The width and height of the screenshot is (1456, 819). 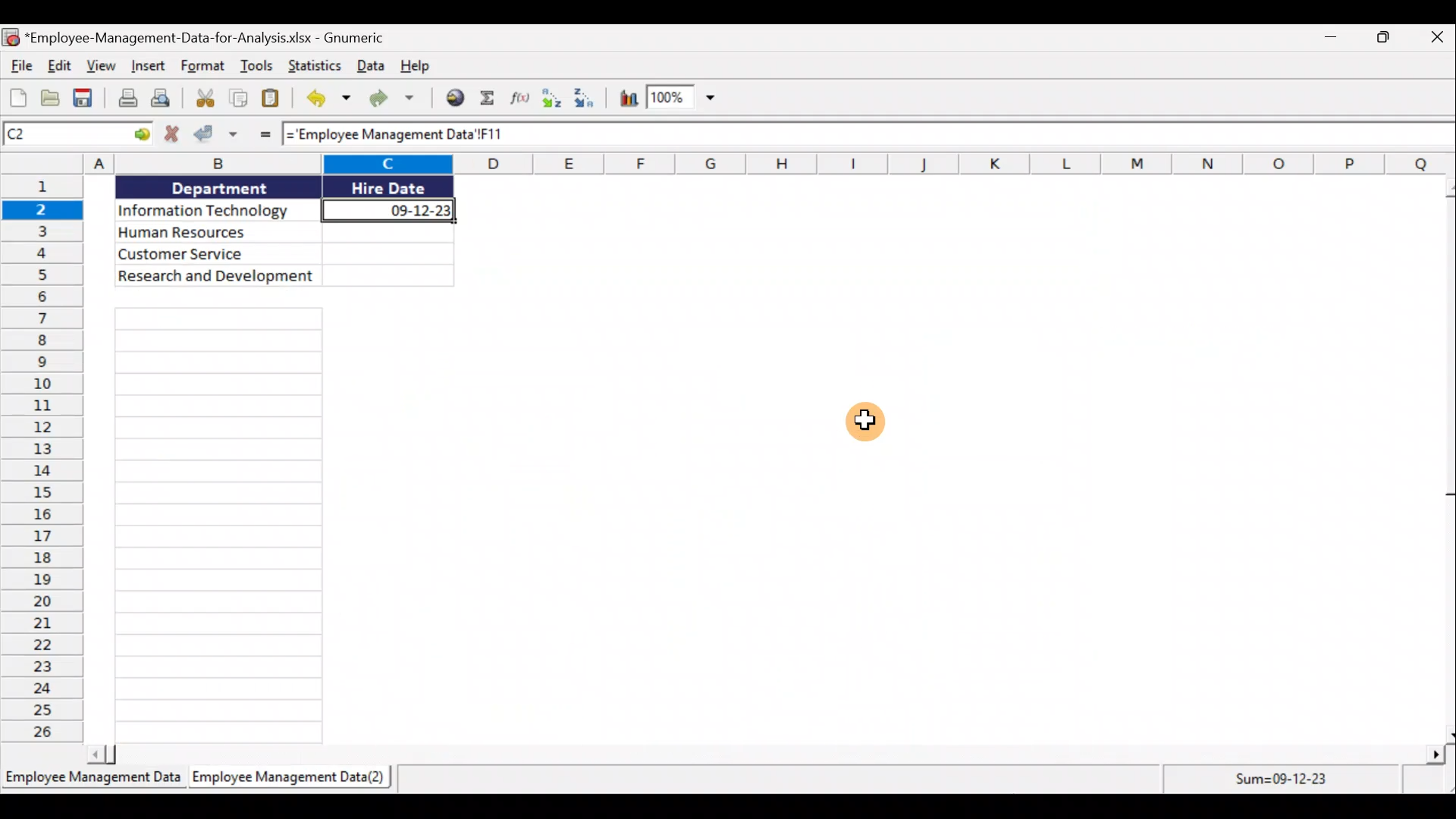 I want to click on Tools, so click(x=260, y=66).